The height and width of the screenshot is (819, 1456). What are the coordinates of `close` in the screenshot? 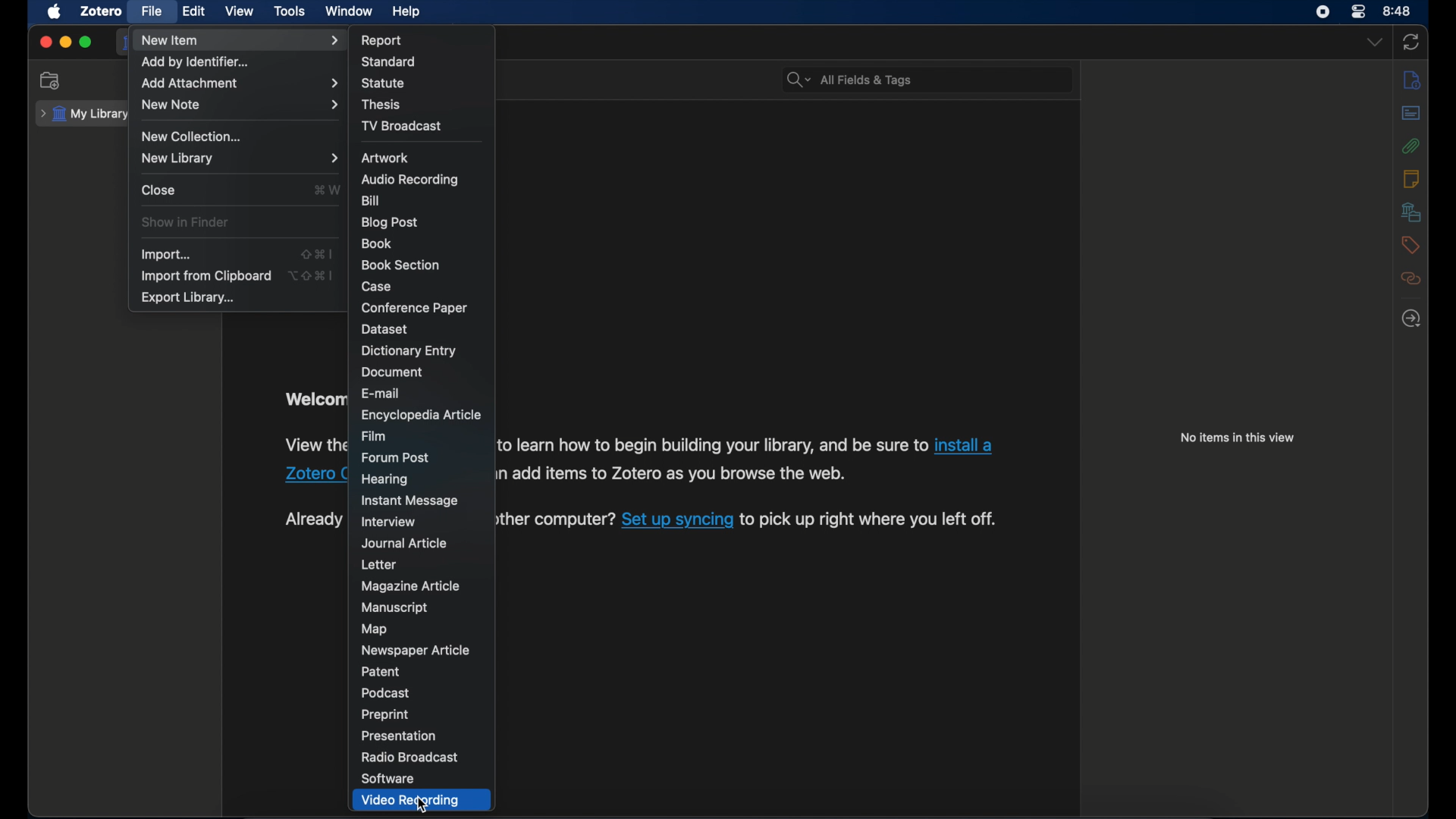 It's located at (328, 189).